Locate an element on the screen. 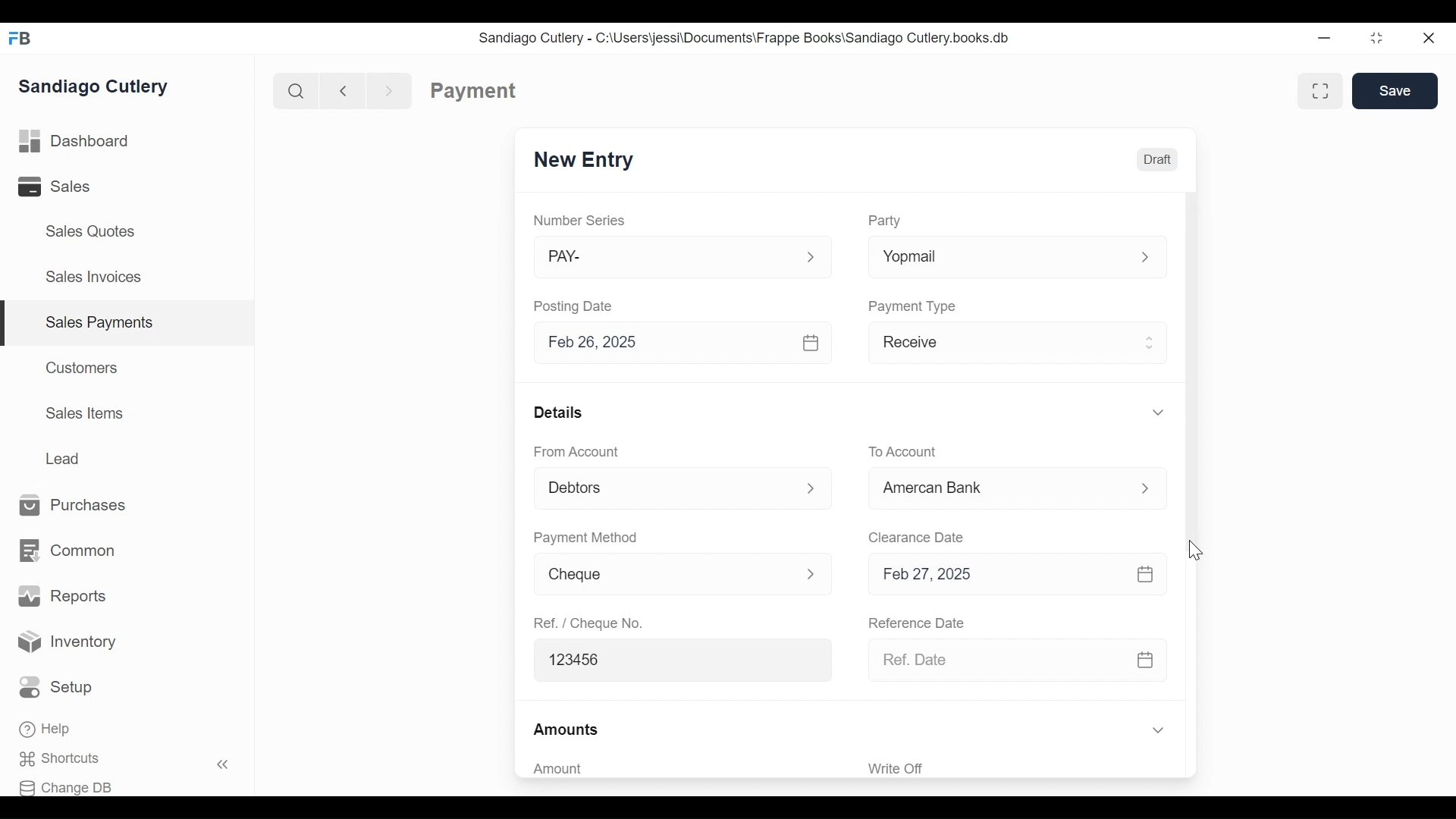 This screenshot has height=819, width=1456. Party is located at coordinates (884, 221).